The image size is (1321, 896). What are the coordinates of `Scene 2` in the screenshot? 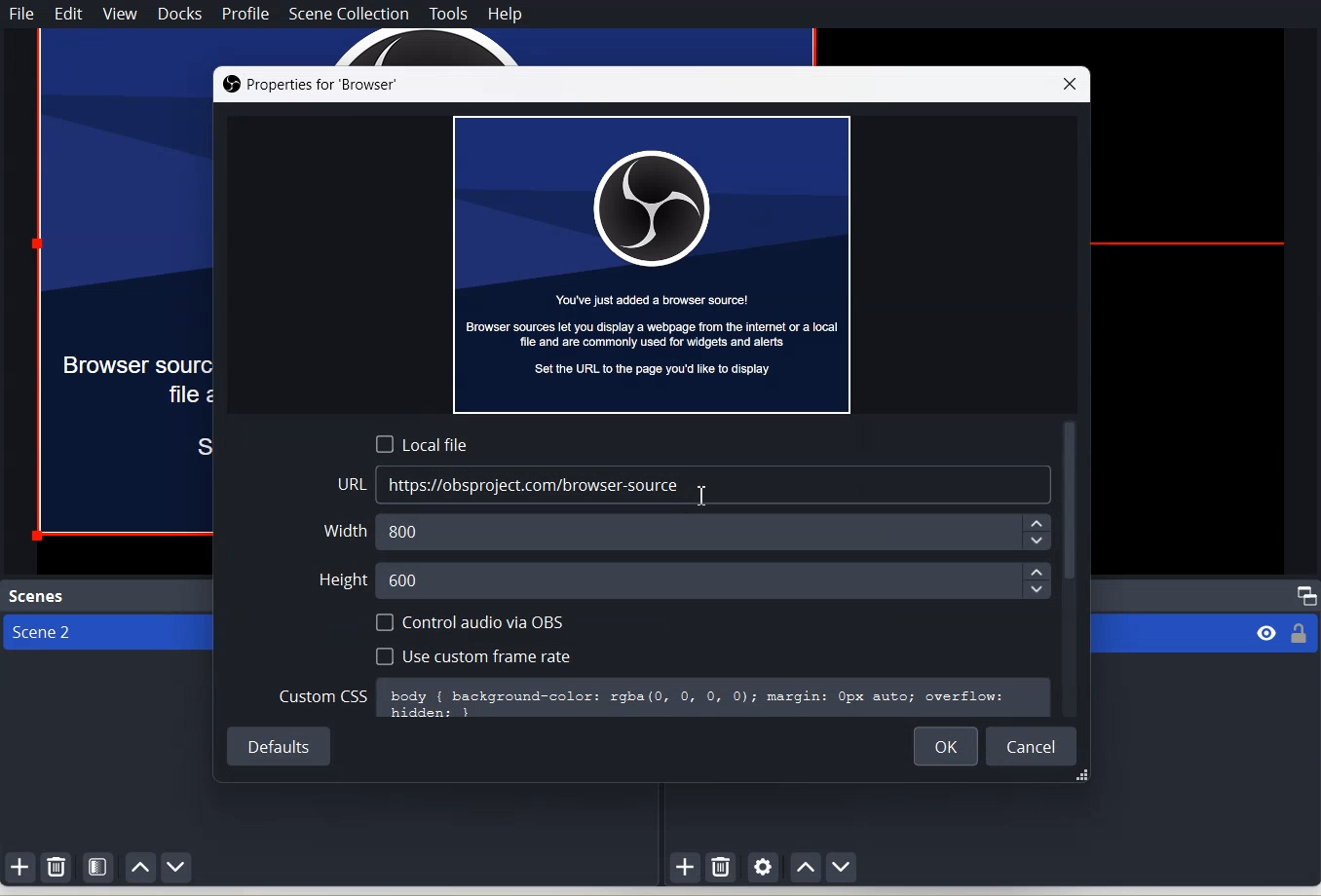 It's located at (106, 634).